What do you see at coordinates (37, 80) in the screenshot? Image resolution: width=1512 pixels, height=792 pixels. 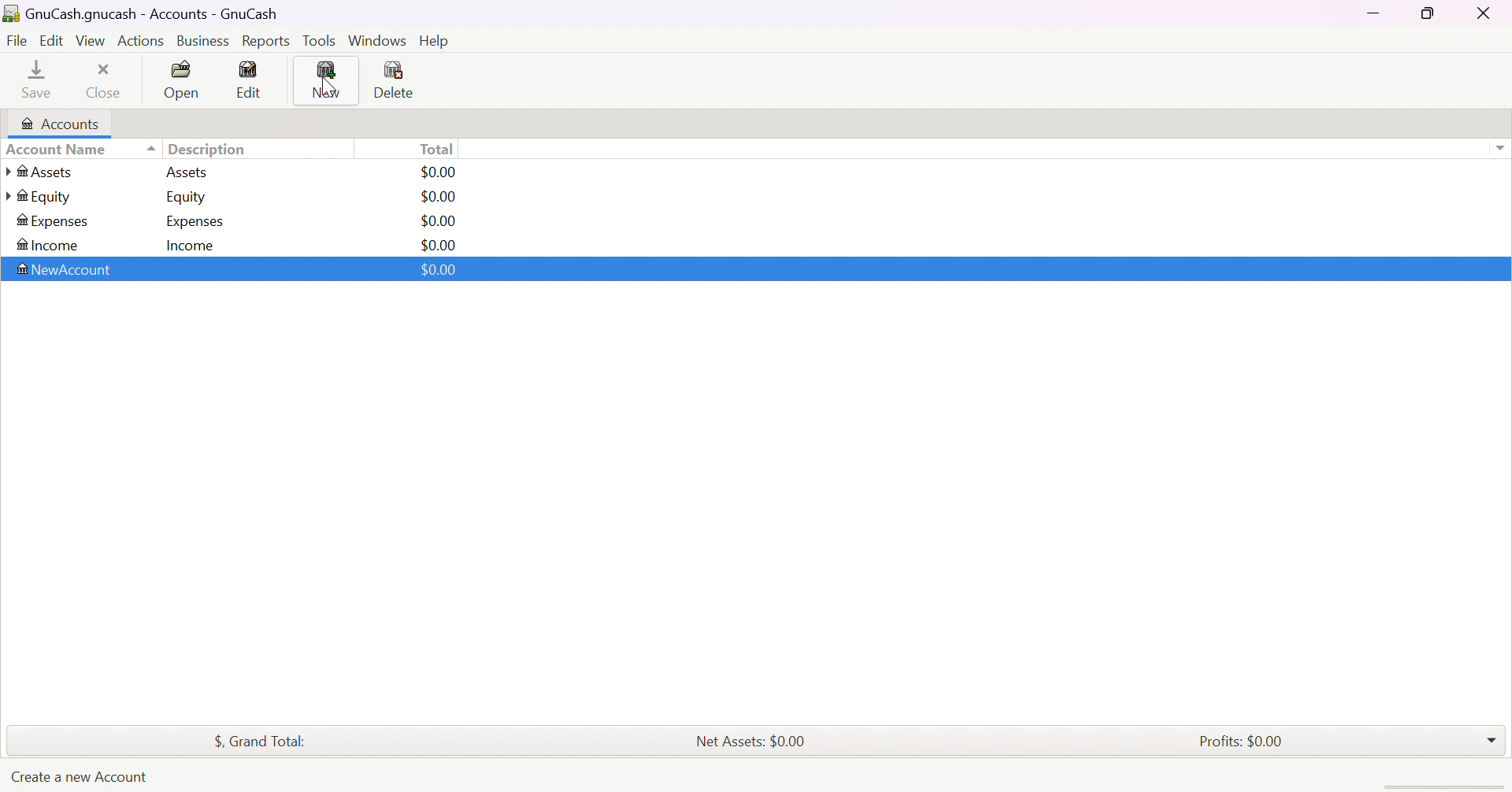 I see `Save` at bounding box center [37, 80].